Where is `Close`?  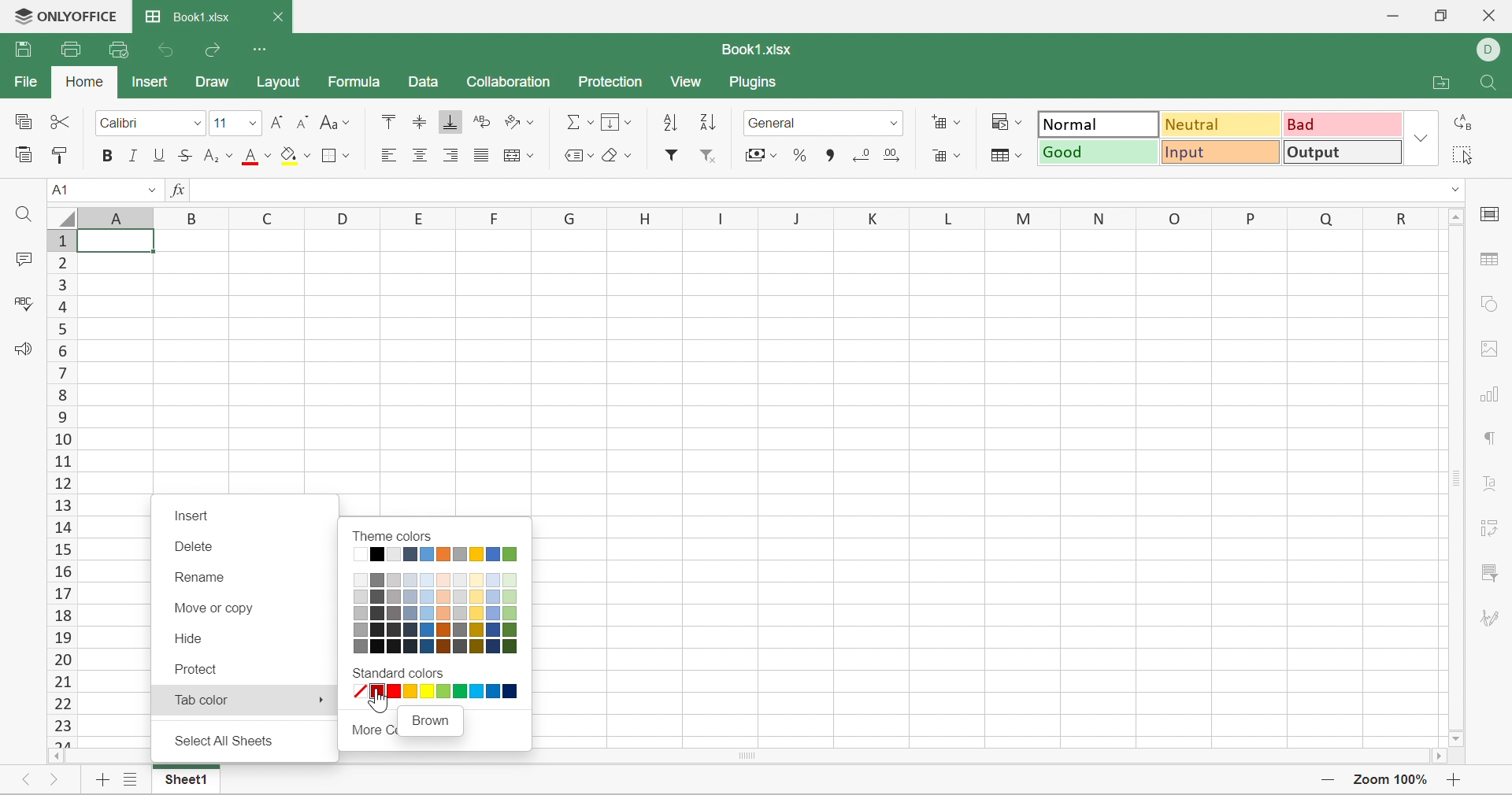 Close is located at coordinates (279, 18).